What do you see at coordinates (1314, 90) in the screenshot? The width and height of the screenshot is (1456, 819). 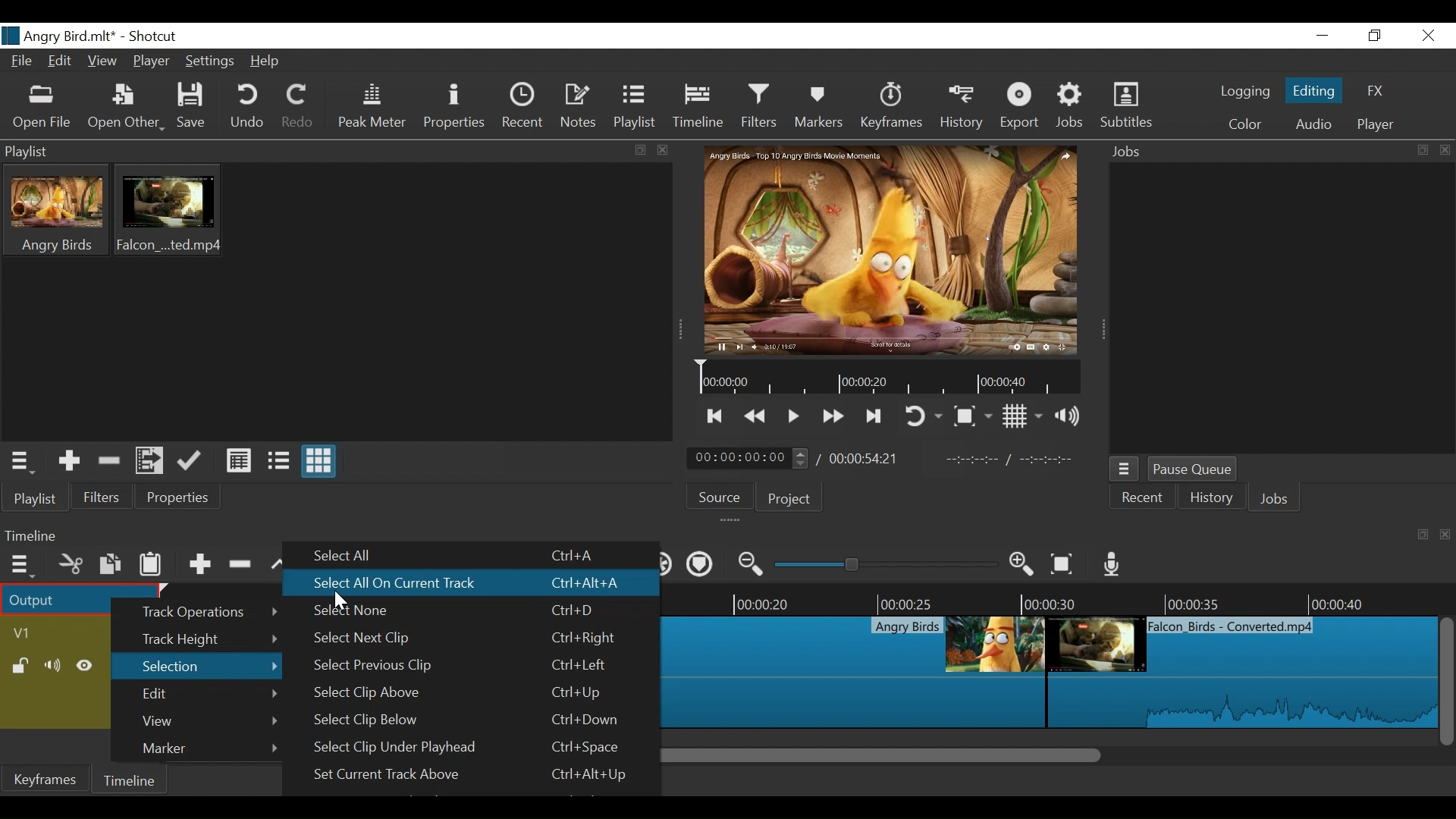 I see `Editing` at bounding box center [1314, 90].